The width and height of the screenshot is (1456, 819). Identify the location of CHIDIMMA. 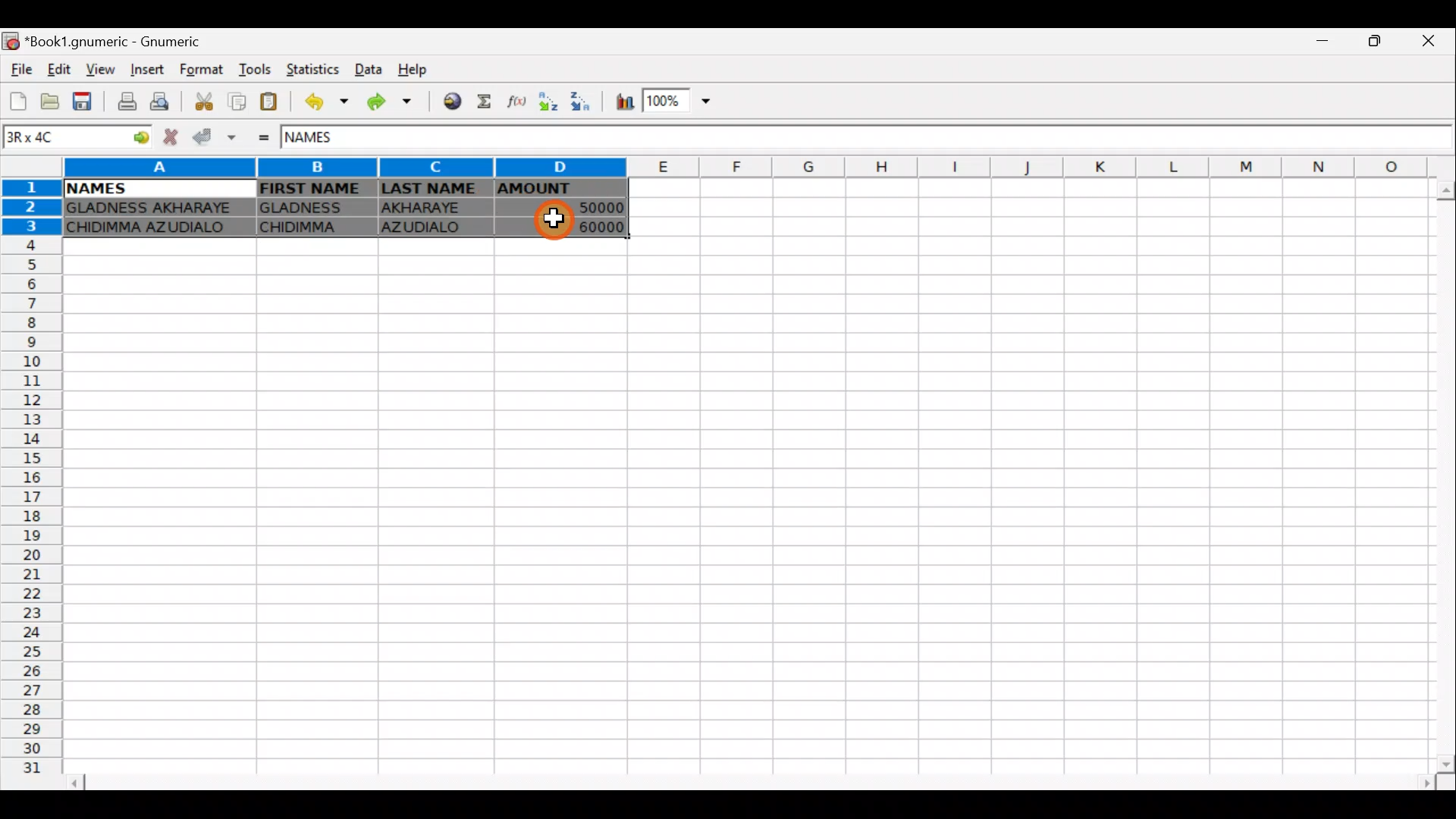
(313, 227).